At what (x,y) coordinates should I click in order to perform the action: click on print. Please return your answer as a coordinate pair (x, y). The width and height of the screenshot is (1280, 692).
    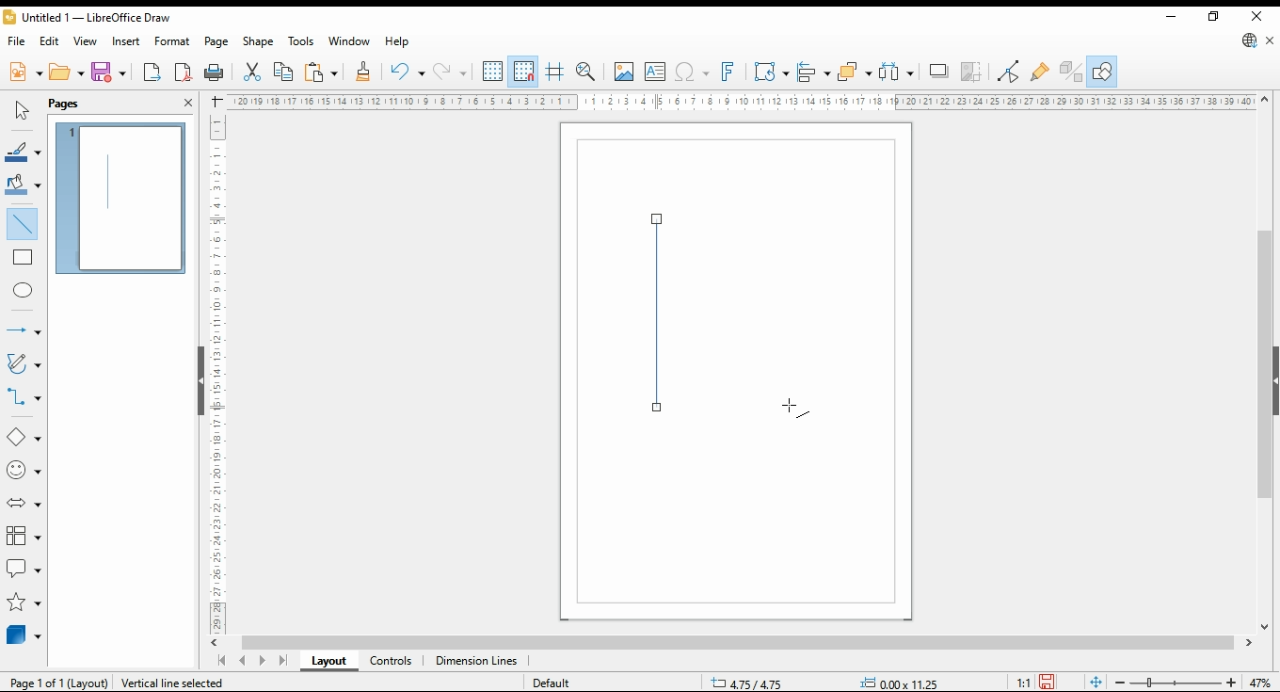
    Looking at the image, I should click on (214, 73).